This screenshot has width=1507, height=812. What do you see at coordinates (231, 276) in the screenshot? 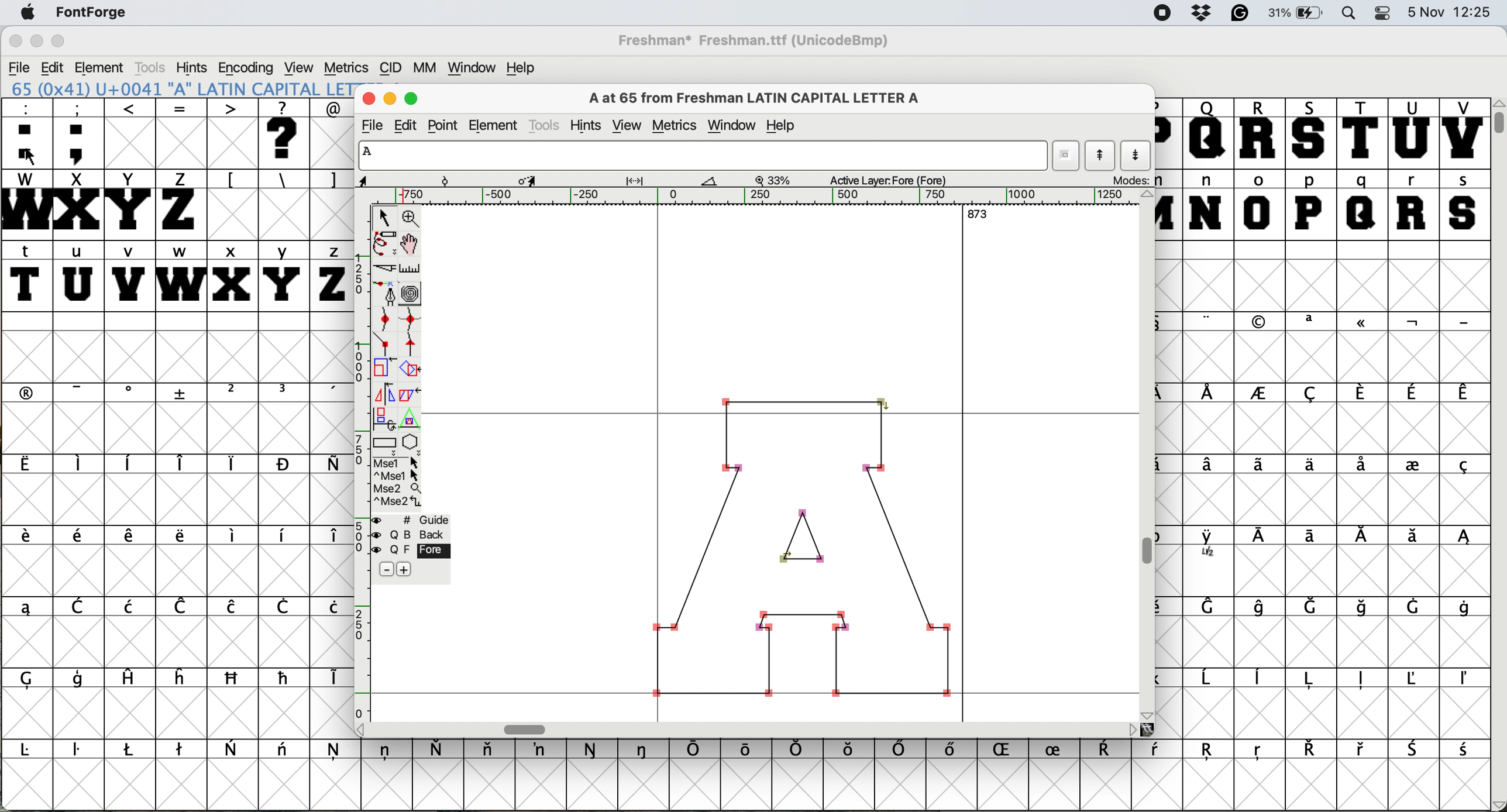
I see `x` at bounding box center [231, 276].